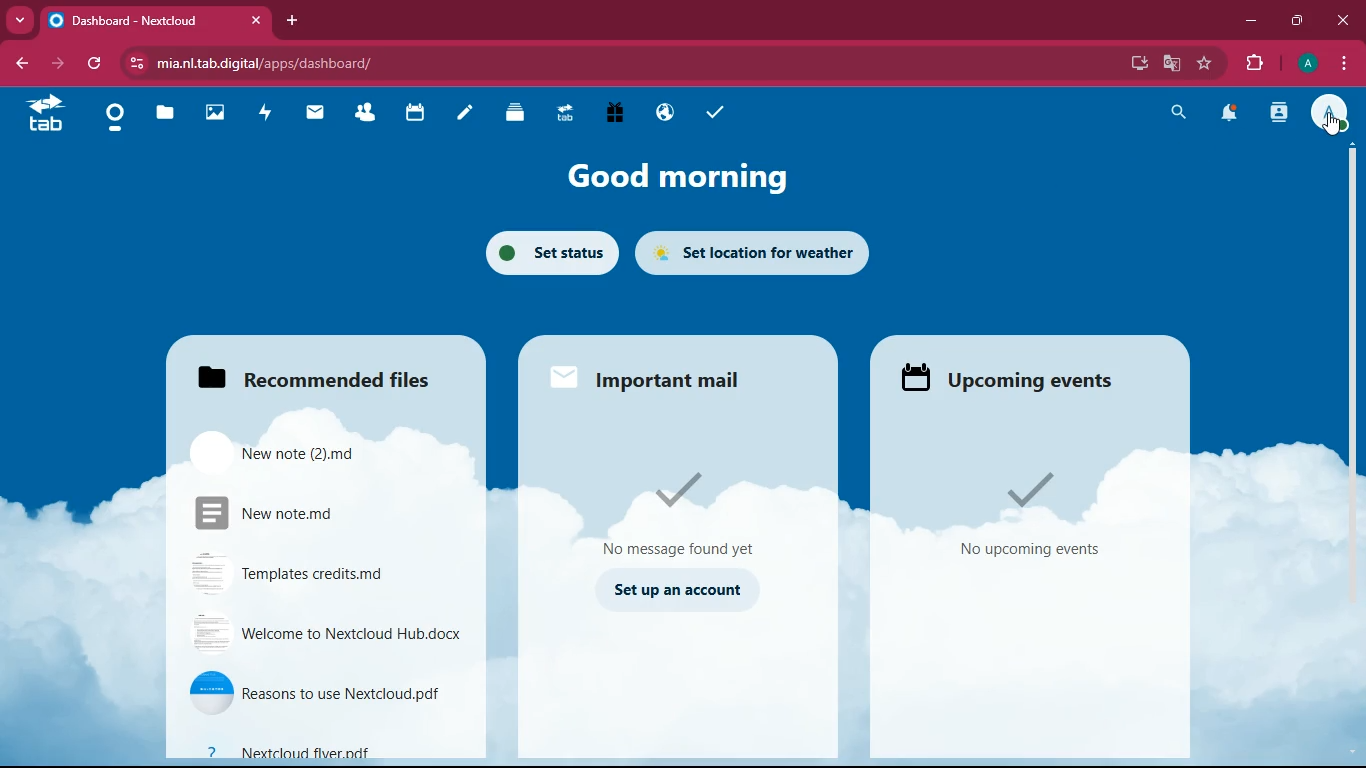 The width and height of the screenshot is (1366, 768). Describe the element at coordinates (1350, 323) in the screenshot. I see `scroll bar` at that location.